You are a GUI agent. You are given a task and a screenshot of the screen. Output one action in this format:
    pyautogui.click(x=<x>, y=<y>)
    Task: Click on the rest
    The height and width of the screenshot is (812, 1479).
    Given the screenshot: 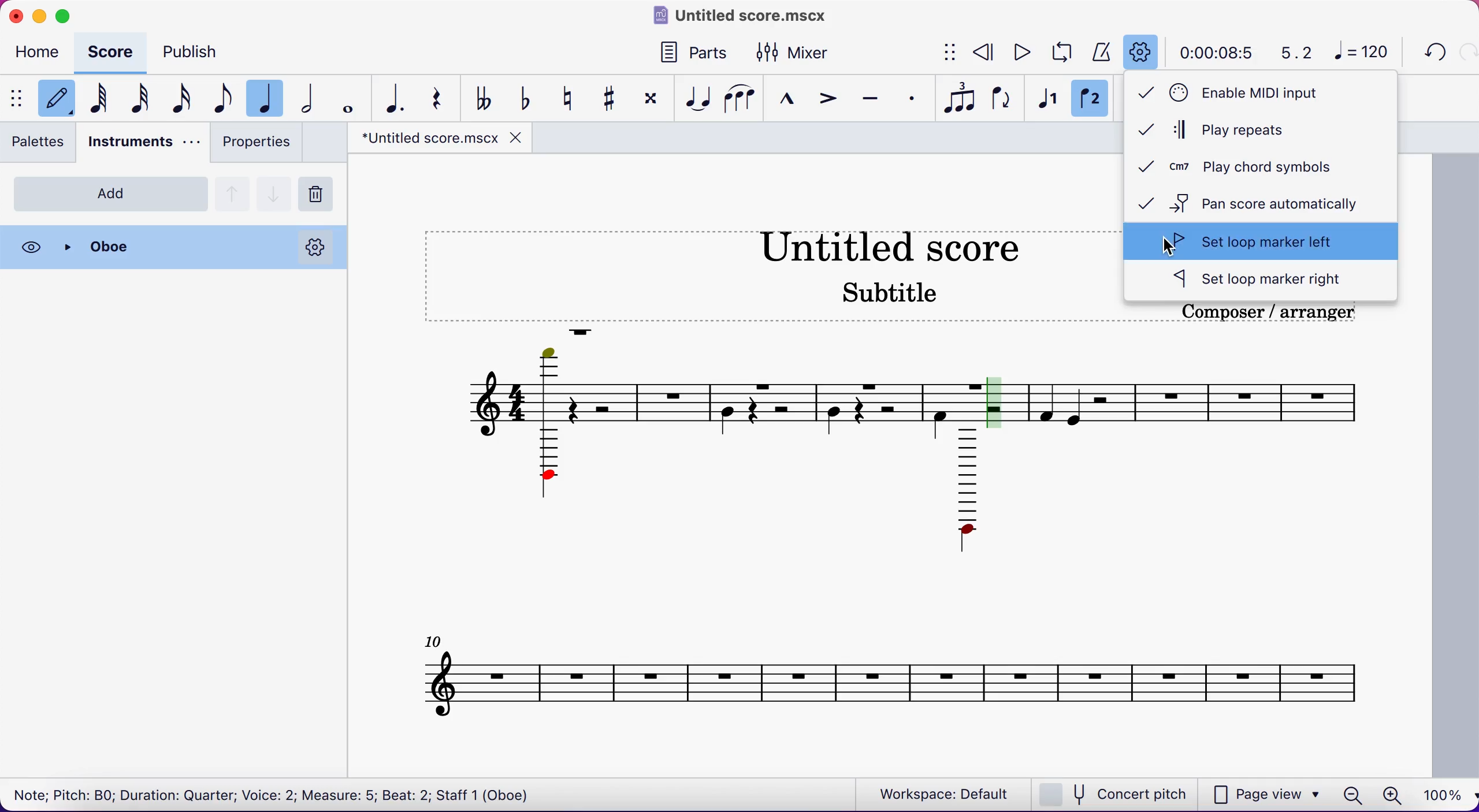 What is the action you would take?
    pyautogui.click(x=441, y=97)
    